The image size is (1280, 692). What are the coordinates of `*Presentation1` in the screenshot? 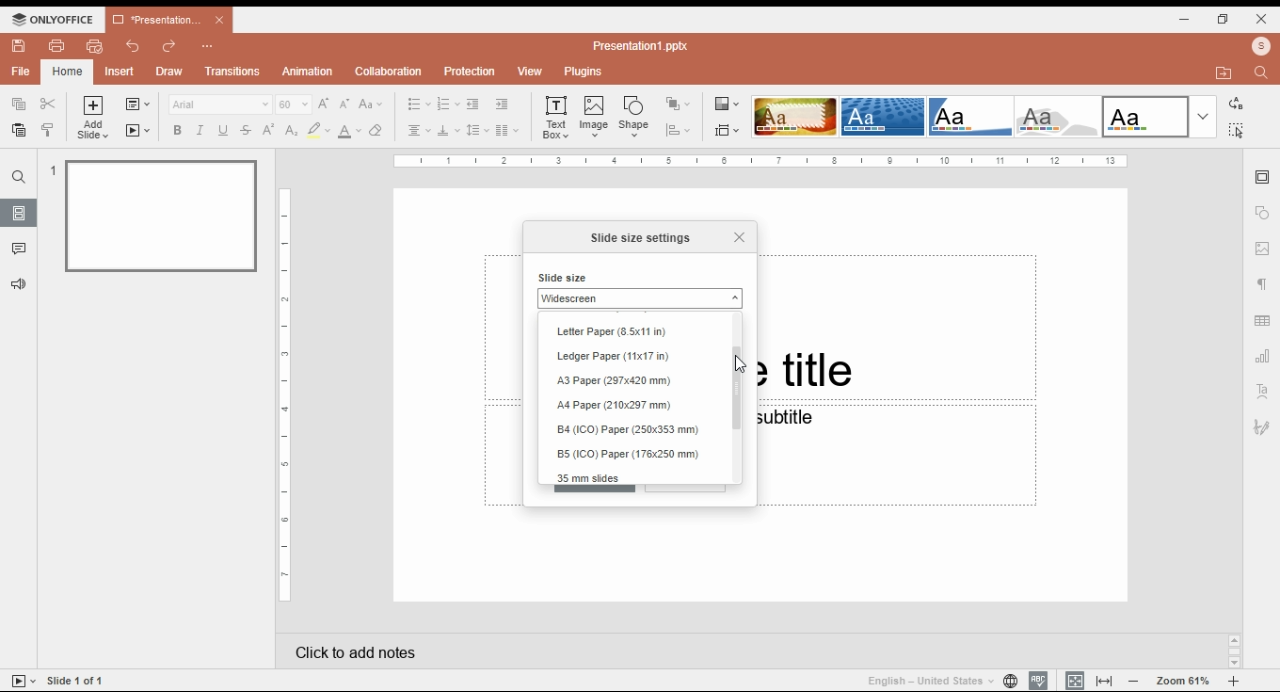 It's located at (169, 20).